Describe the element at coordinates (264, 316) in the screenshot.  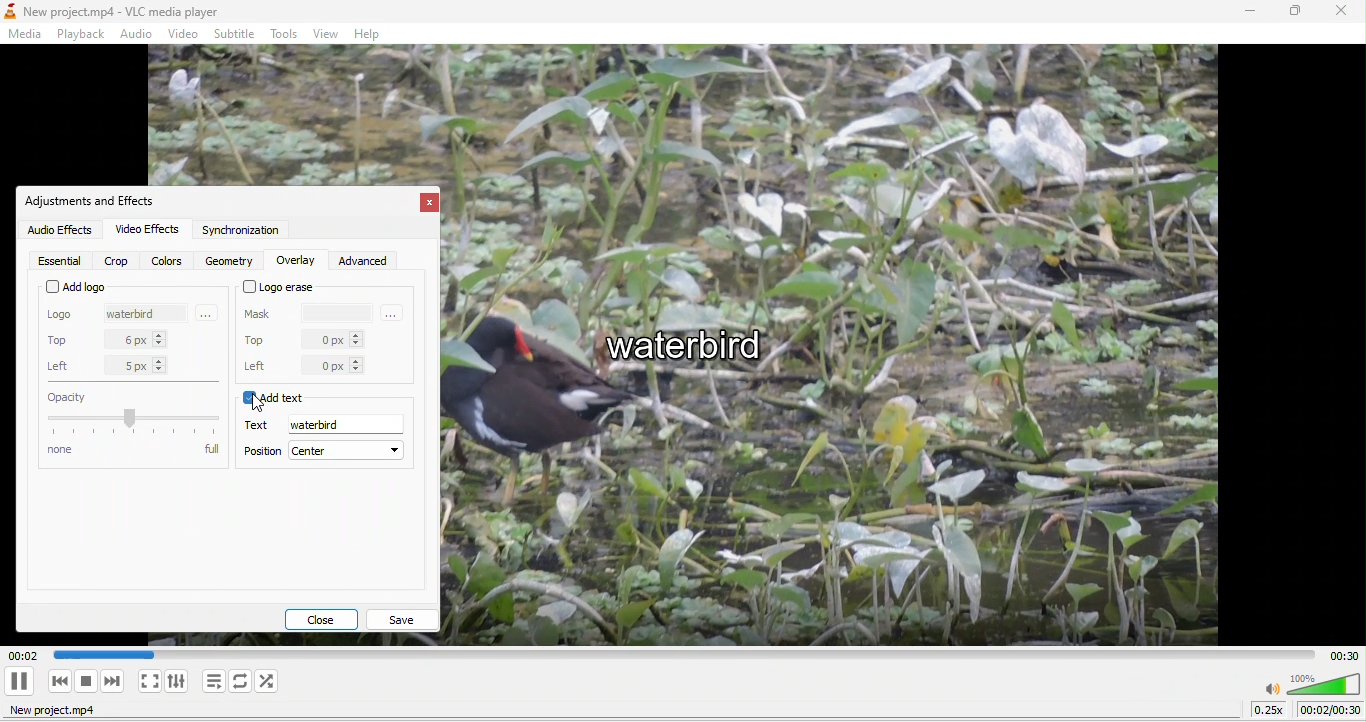
I see `mask` at that location.